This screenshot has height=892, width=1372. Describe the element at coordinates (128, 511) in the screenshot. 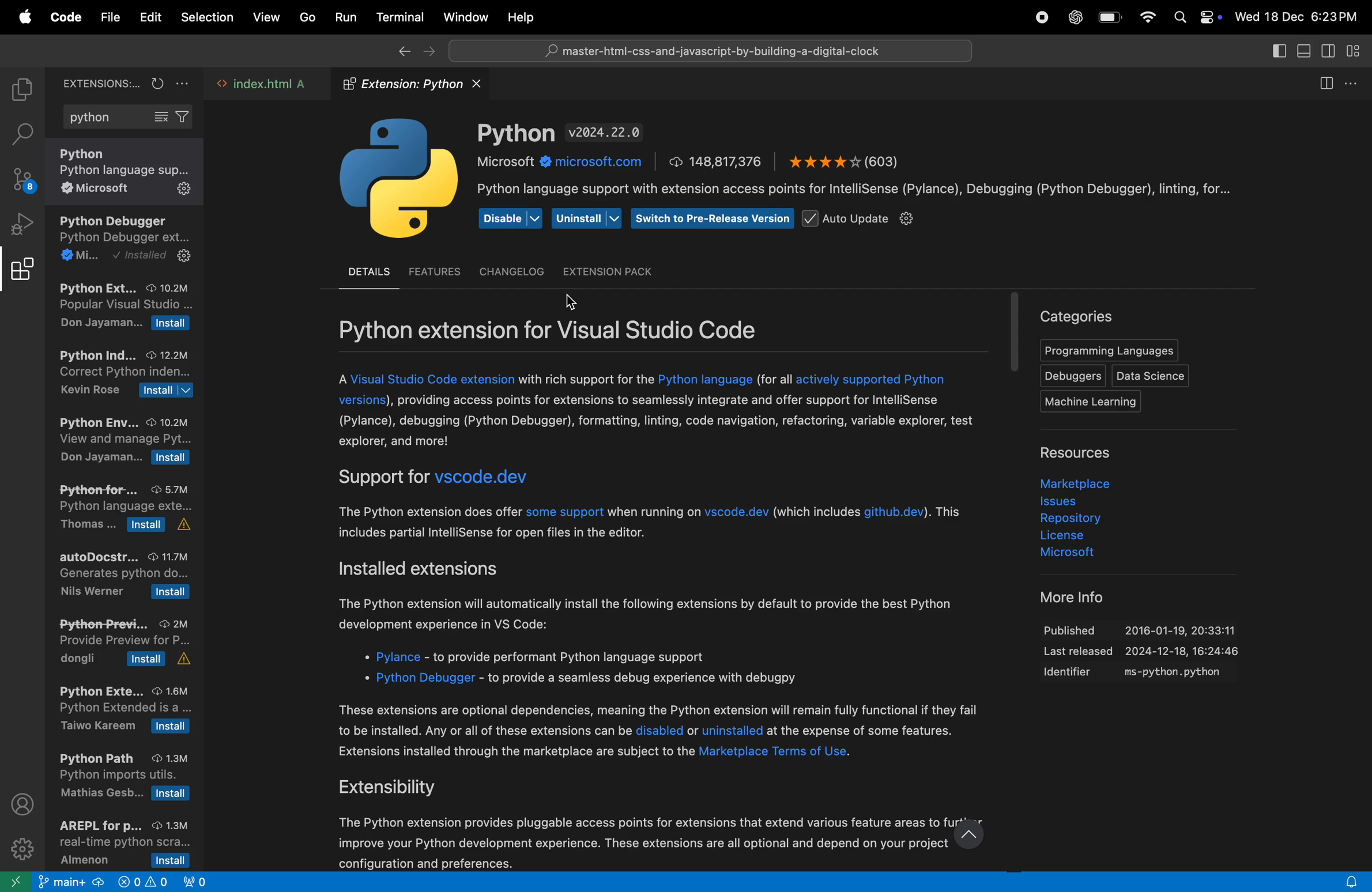

I see `python format` at that location.